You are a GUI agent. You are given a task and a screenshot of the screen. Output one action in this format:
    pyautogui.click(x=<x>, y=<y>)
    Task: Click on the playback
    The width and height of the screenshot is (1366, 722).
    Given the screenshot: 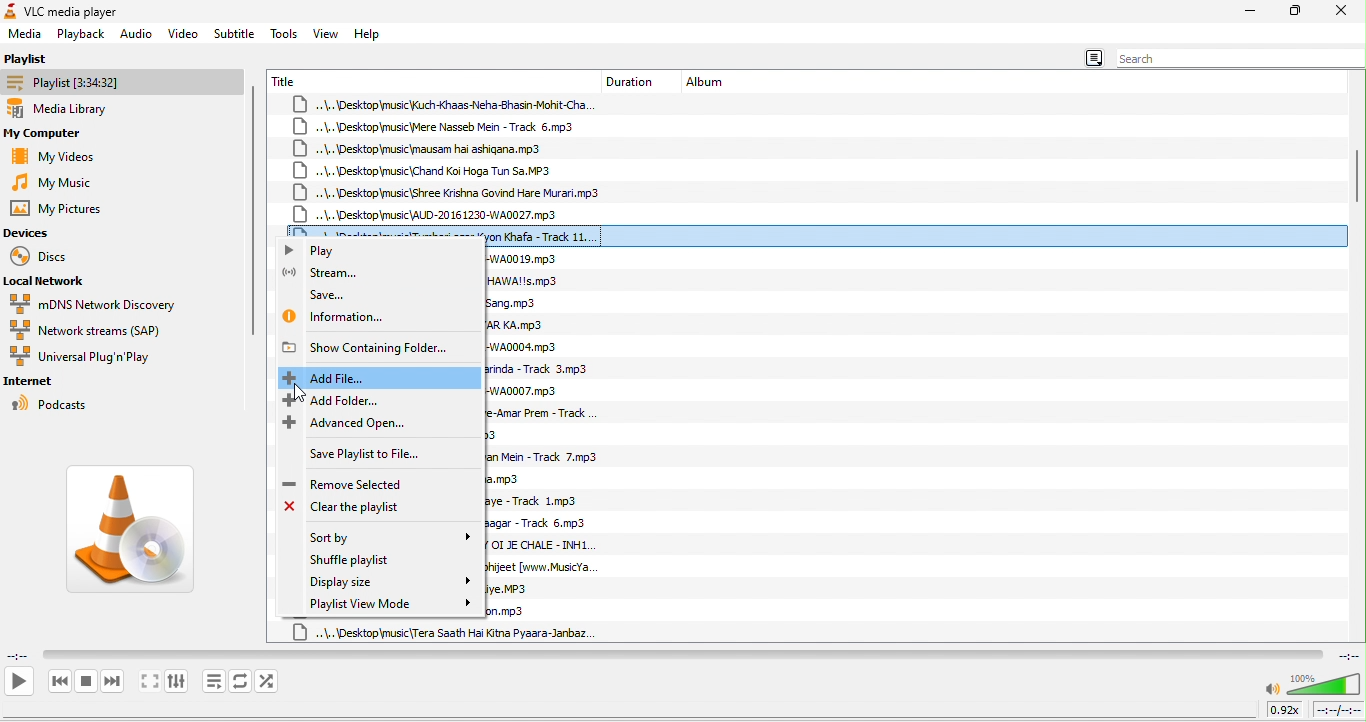 What is the action you would take?
    pyautogui.click(x=82, y=34)
    